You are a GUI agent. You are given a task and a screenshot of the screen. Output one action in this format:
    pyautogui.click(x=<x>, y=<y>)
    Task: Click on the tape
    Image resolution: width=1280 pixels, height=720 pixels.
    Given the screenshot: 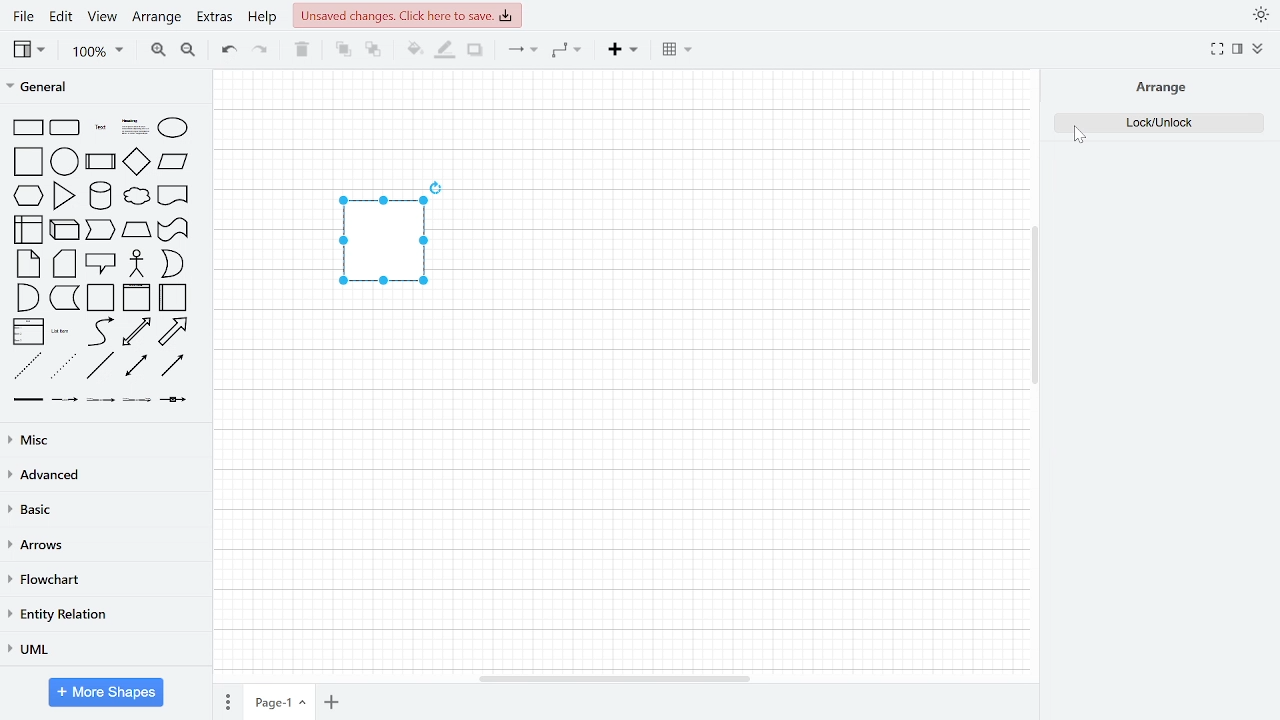 What is the action you would take?
    pyautogui.click(x=174, y=229)
    